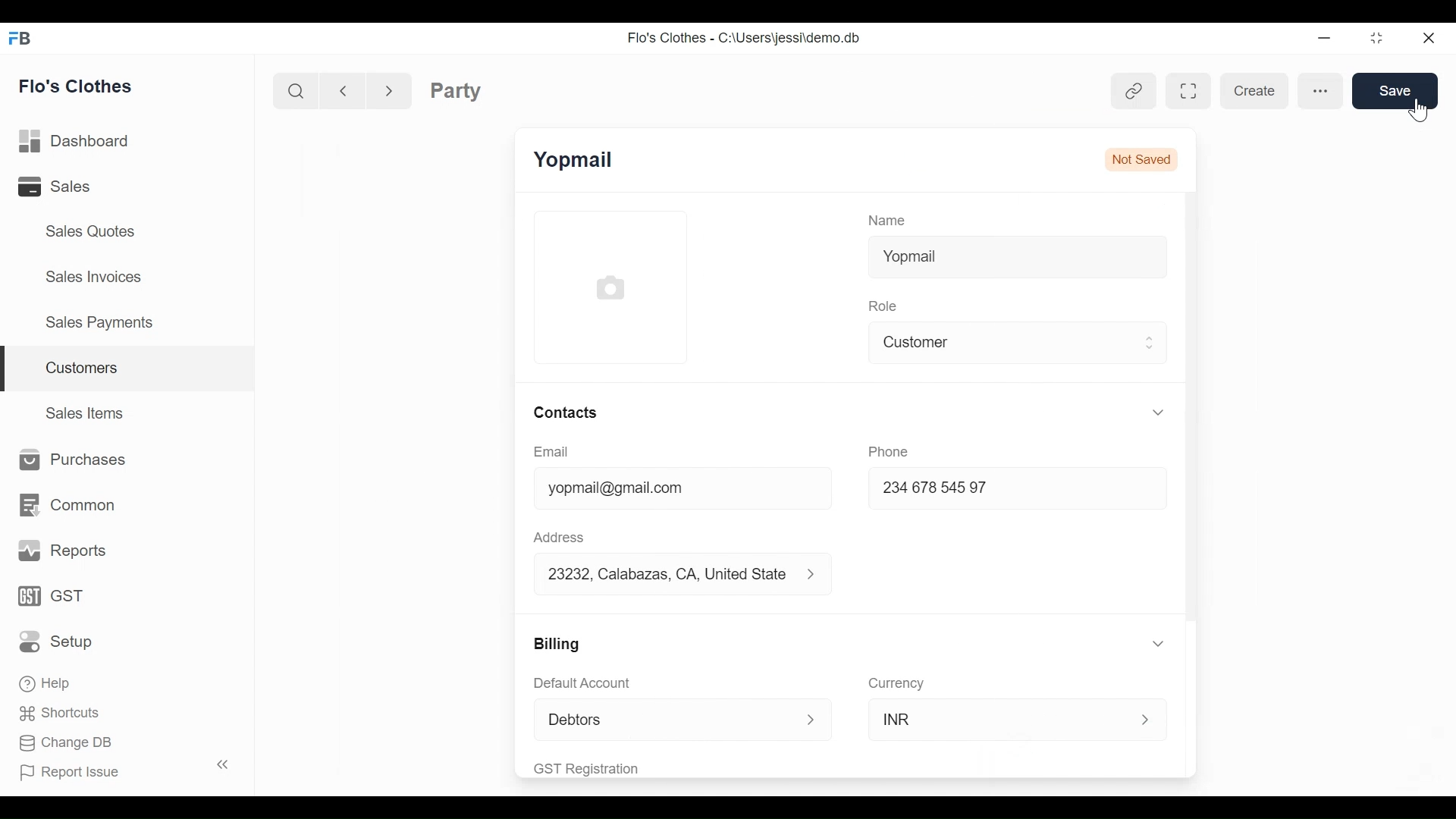 Image resolution: width=1456 pixels, height=819 pixels. What do you see at coordinates (1137, 88) in the screenshot?
I see `View linked entries` at bounding box center [1137, 88].